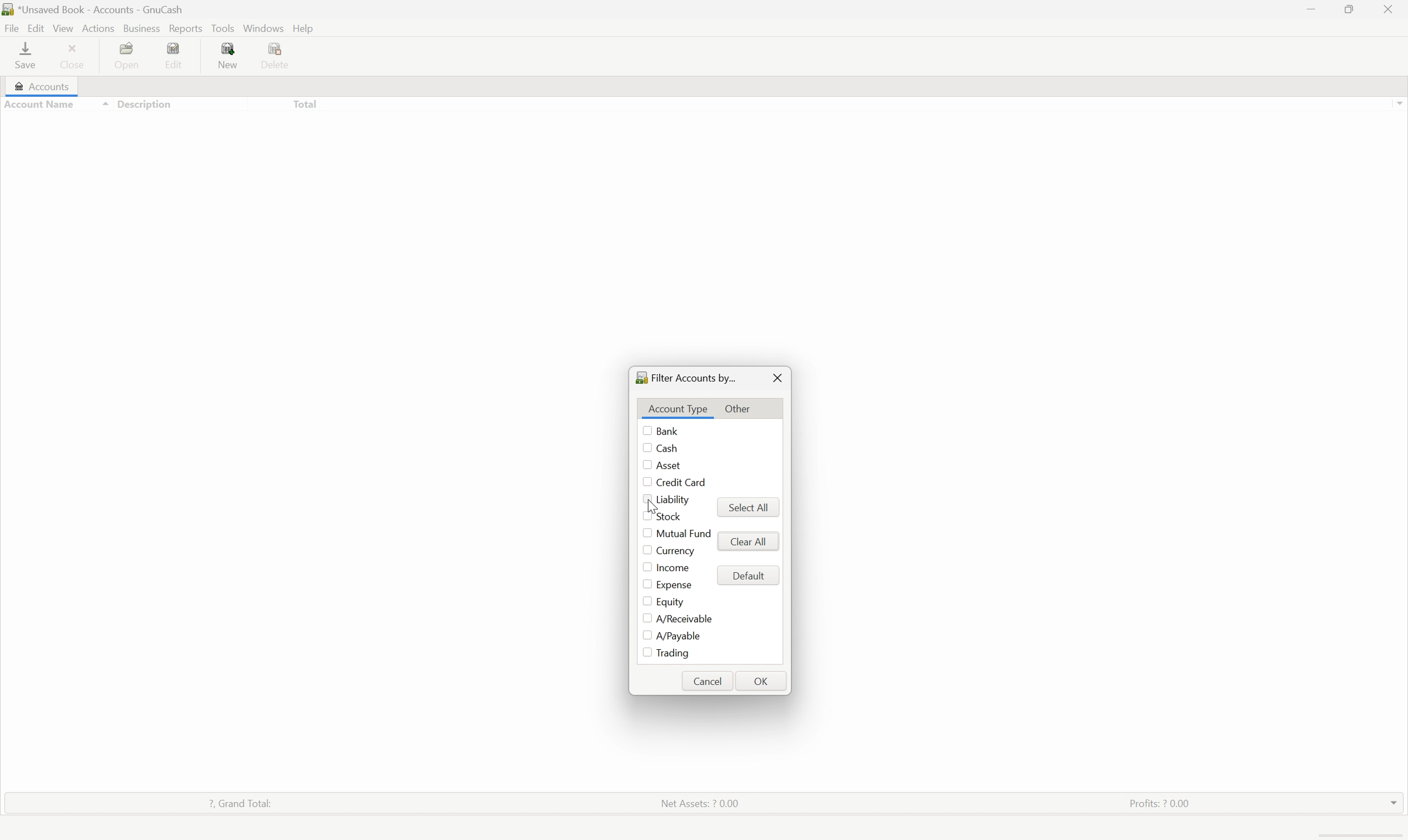 This screenshot has width=1408, height=840. Describe the element at coordinates (1389, 9) in the screenshot. I see `close` at that location.